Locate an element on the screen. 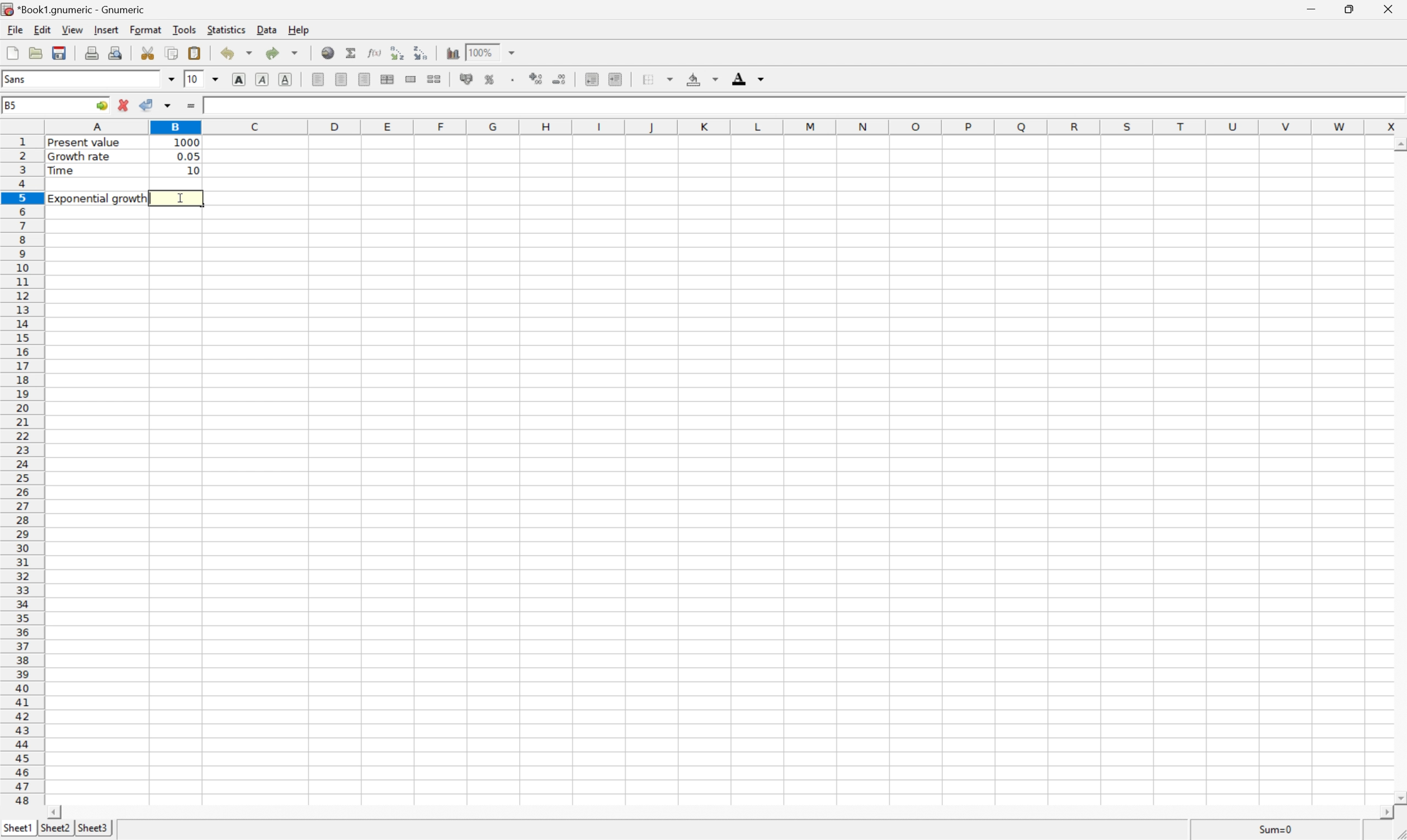 The width and height of the screenshot is (1407, 840). Statistics is located at coordinates (225, 29).